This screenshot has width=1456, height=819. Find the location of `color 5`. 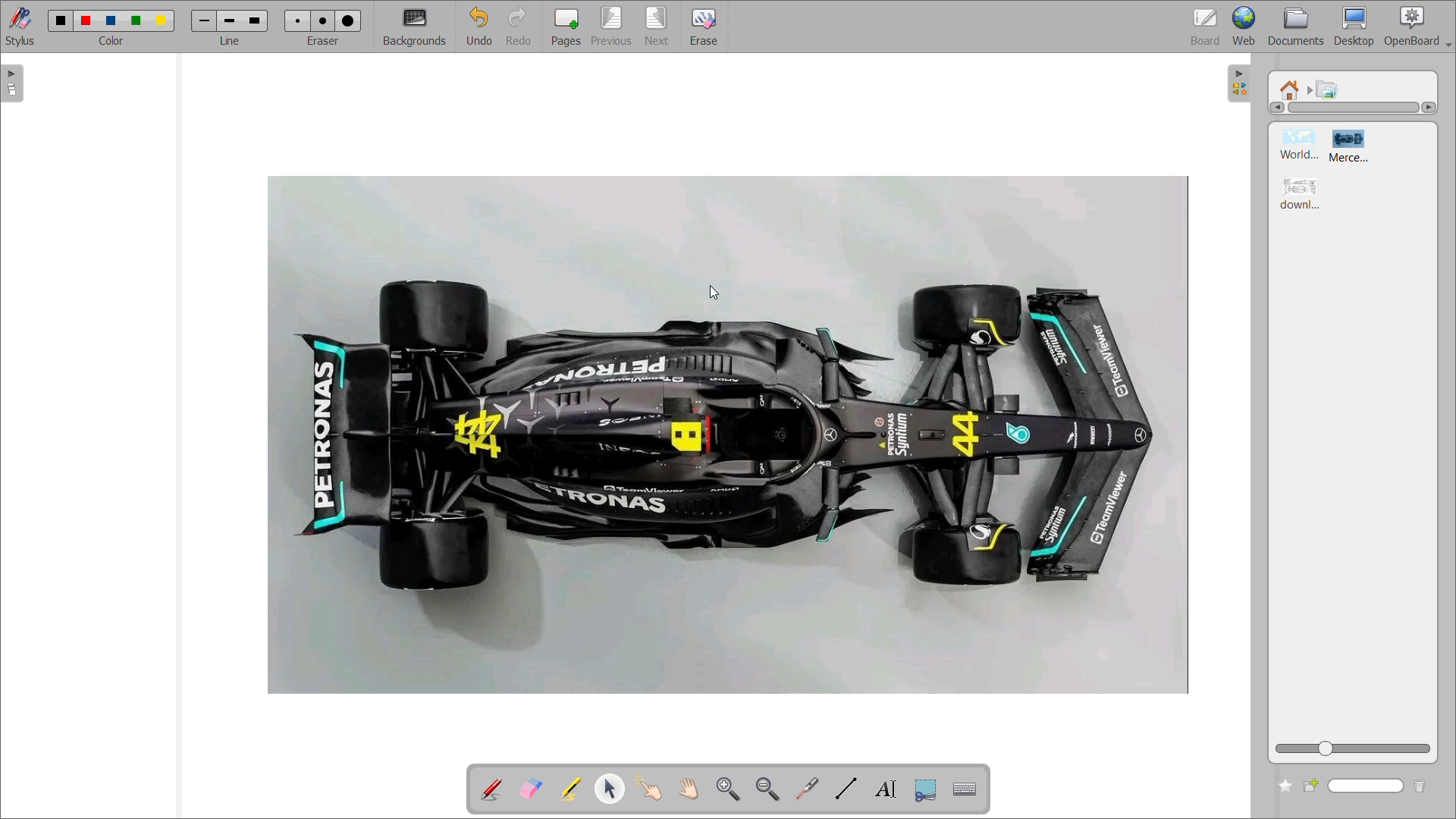

color 5 is located at coordinates (163, 20).